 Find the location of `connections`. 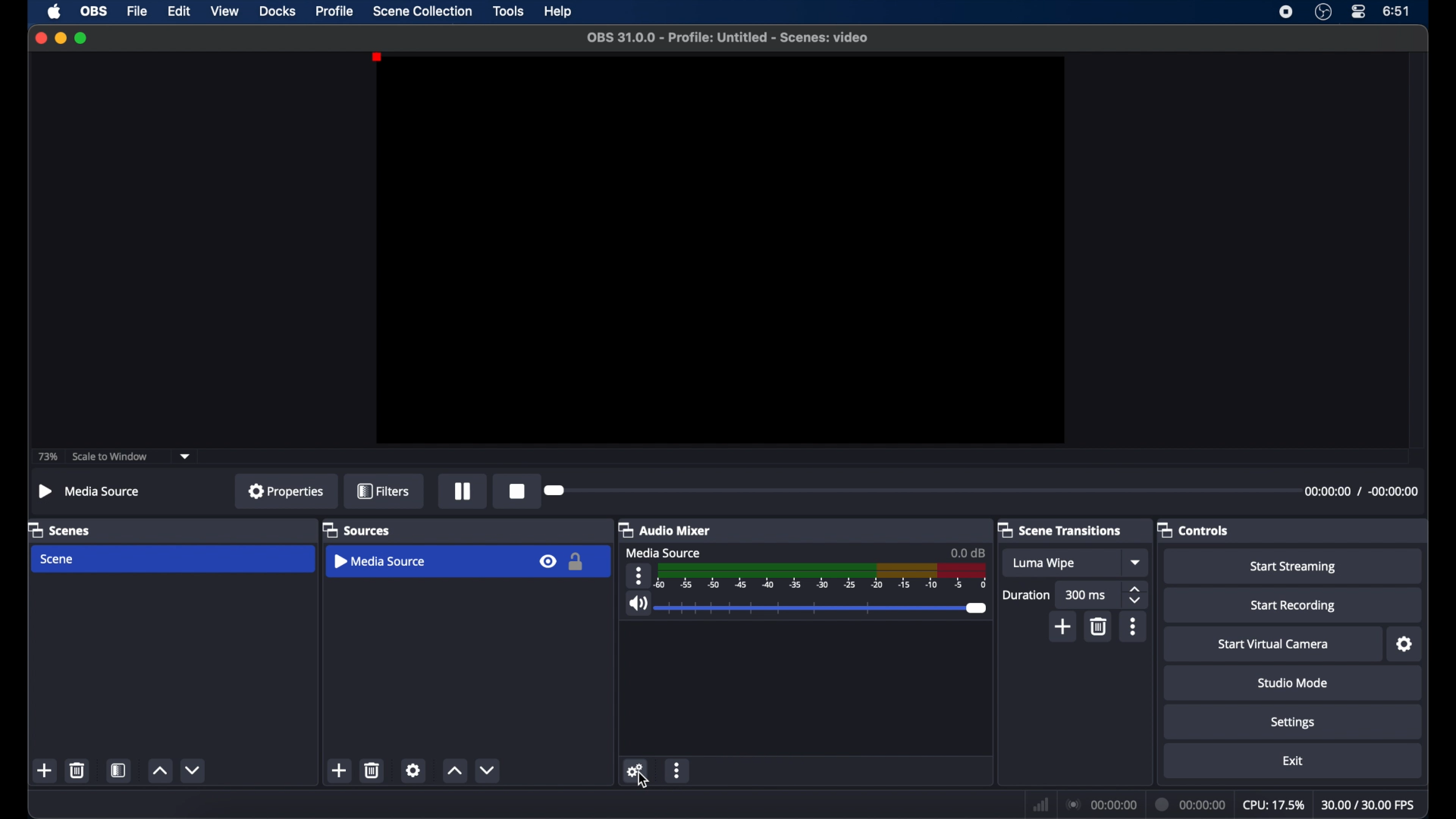

connections is located at coordinates (1100, 805).